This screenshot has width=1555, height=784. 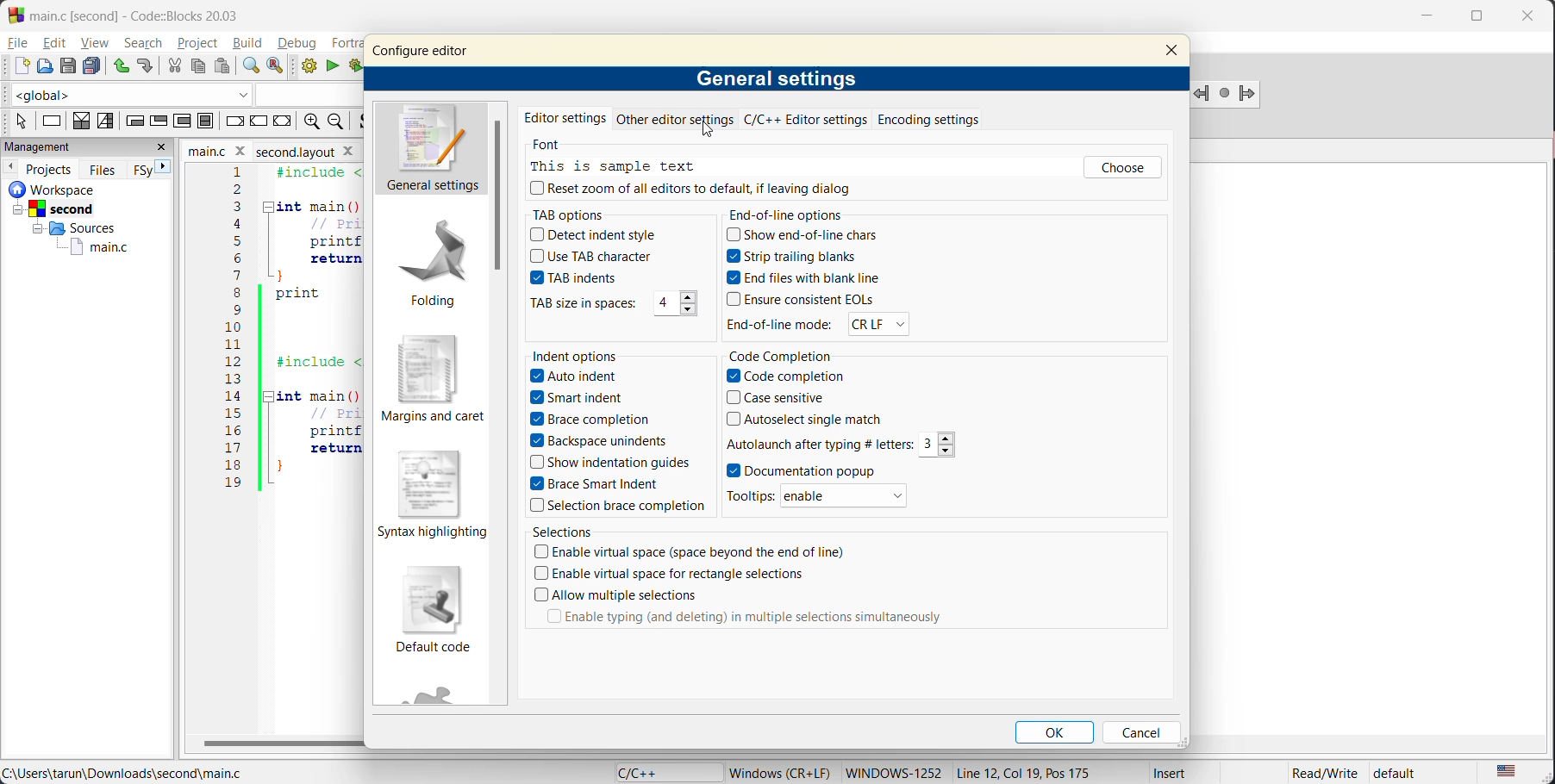 I want to click on other editor settings, so click(x=675, y=122).